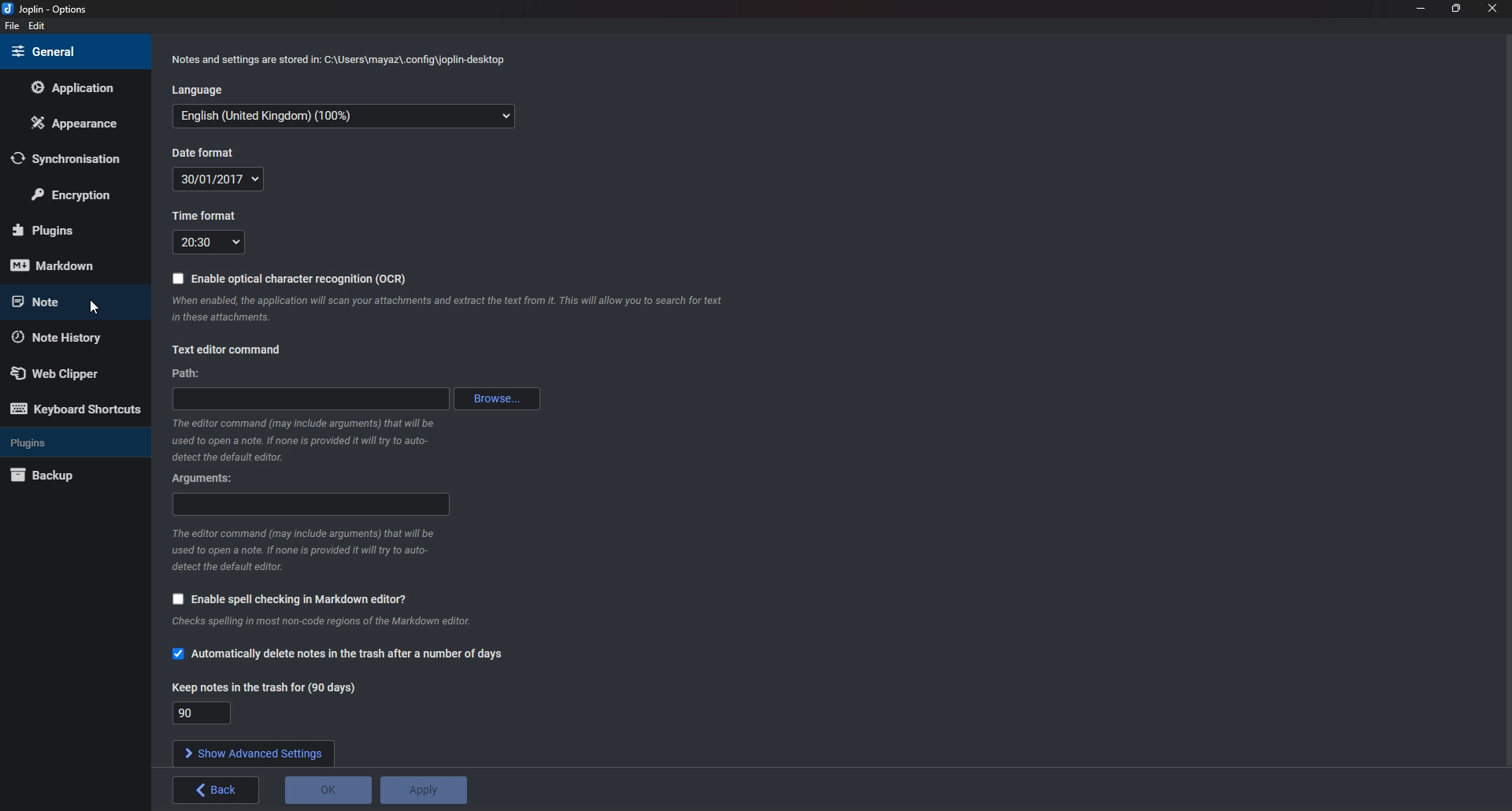 The image size is (1512, 811). Describe the element at coordinates (71, 475) in the screenshot. I see `Back up` at that location.